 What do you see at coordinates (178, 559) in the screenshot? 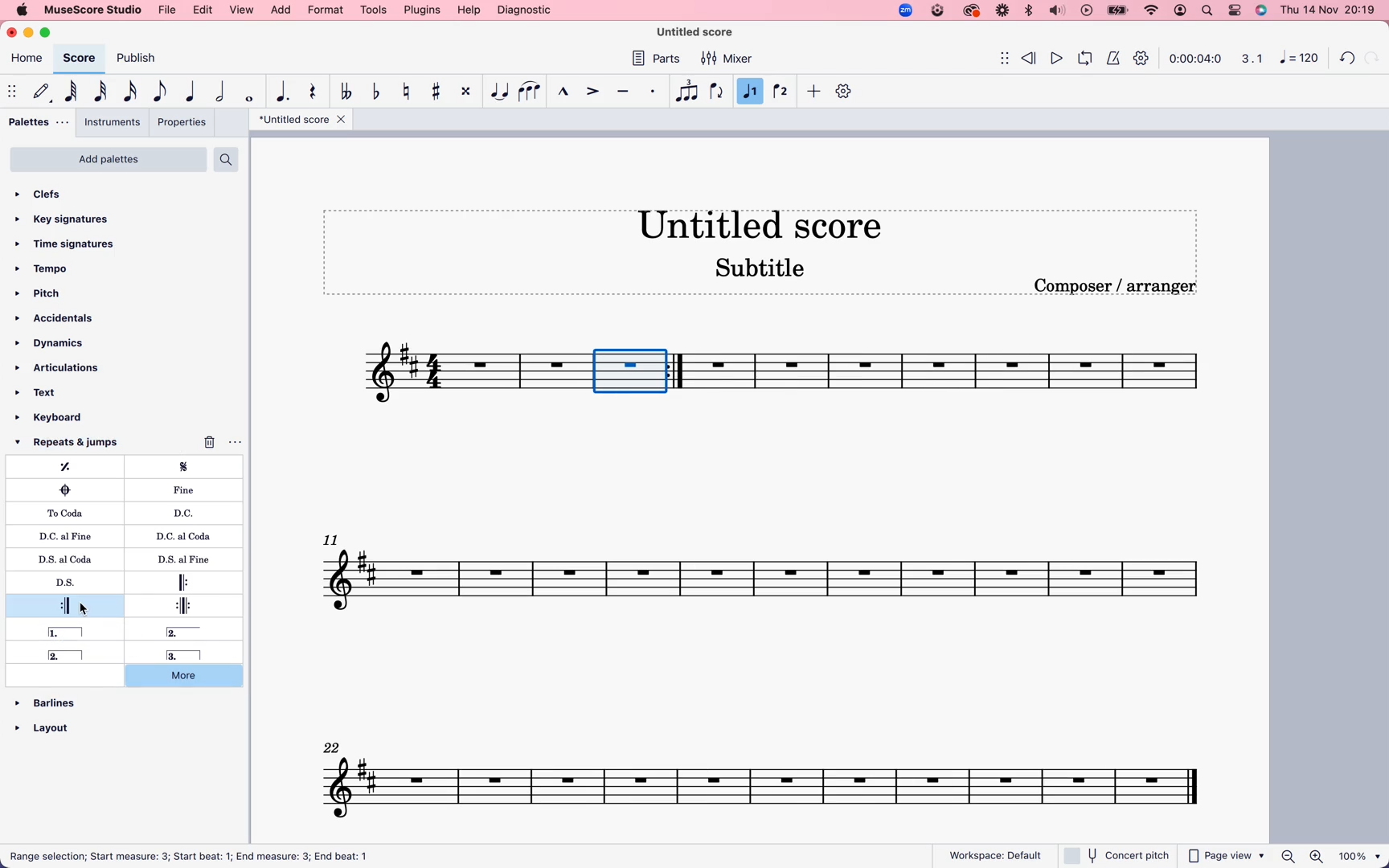
I see `d.s al fine` at bounding box center [178, 559].